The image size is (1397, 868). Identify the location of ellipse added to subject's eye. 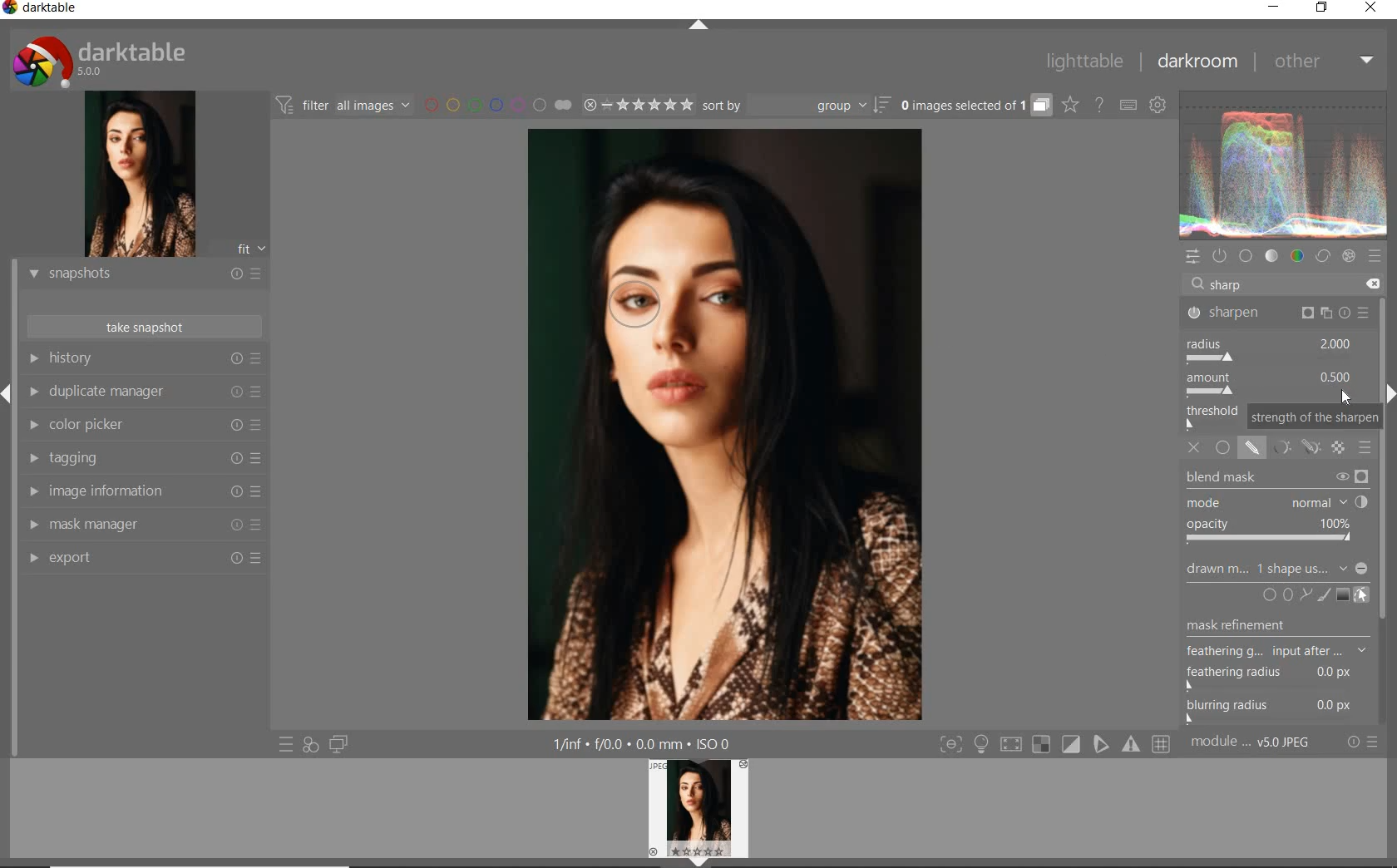
(639, 308).